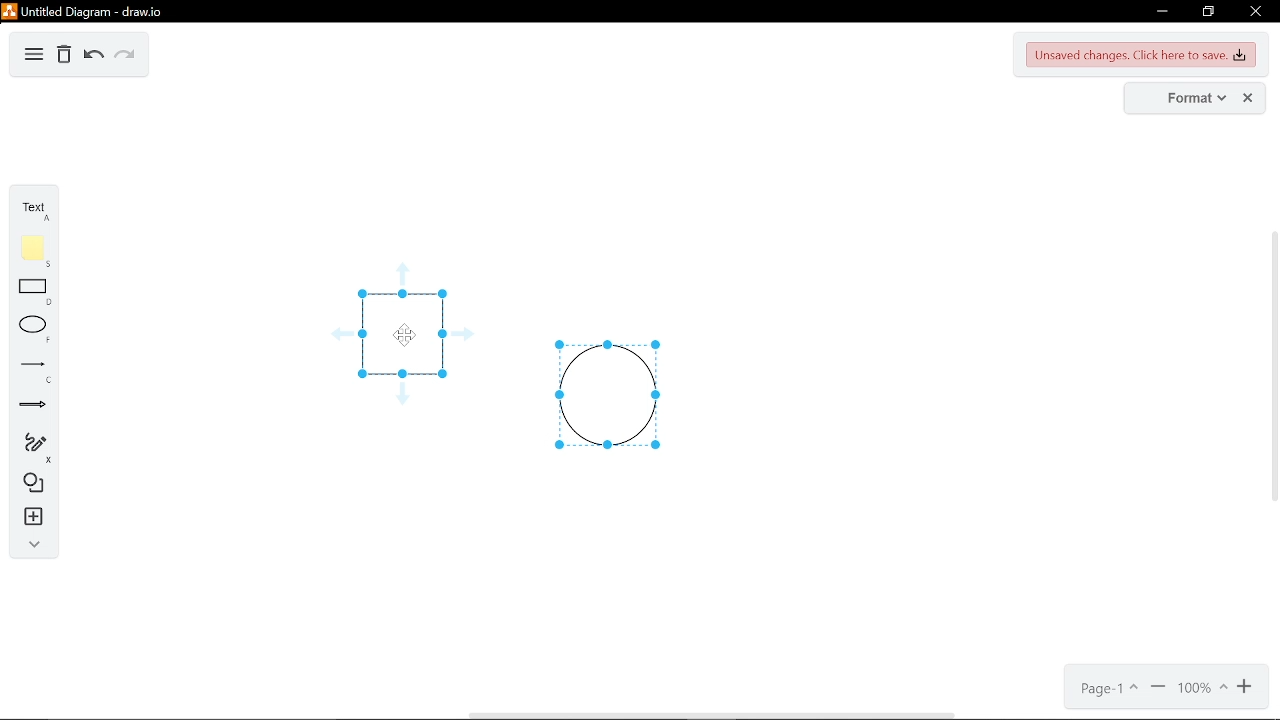 Image resolution: width=1280 pixels, height=720 pixels. What do you see at coordinates (465, 334) in the screenshot?
I see `guide arrow` at bounding box center [465, 334].